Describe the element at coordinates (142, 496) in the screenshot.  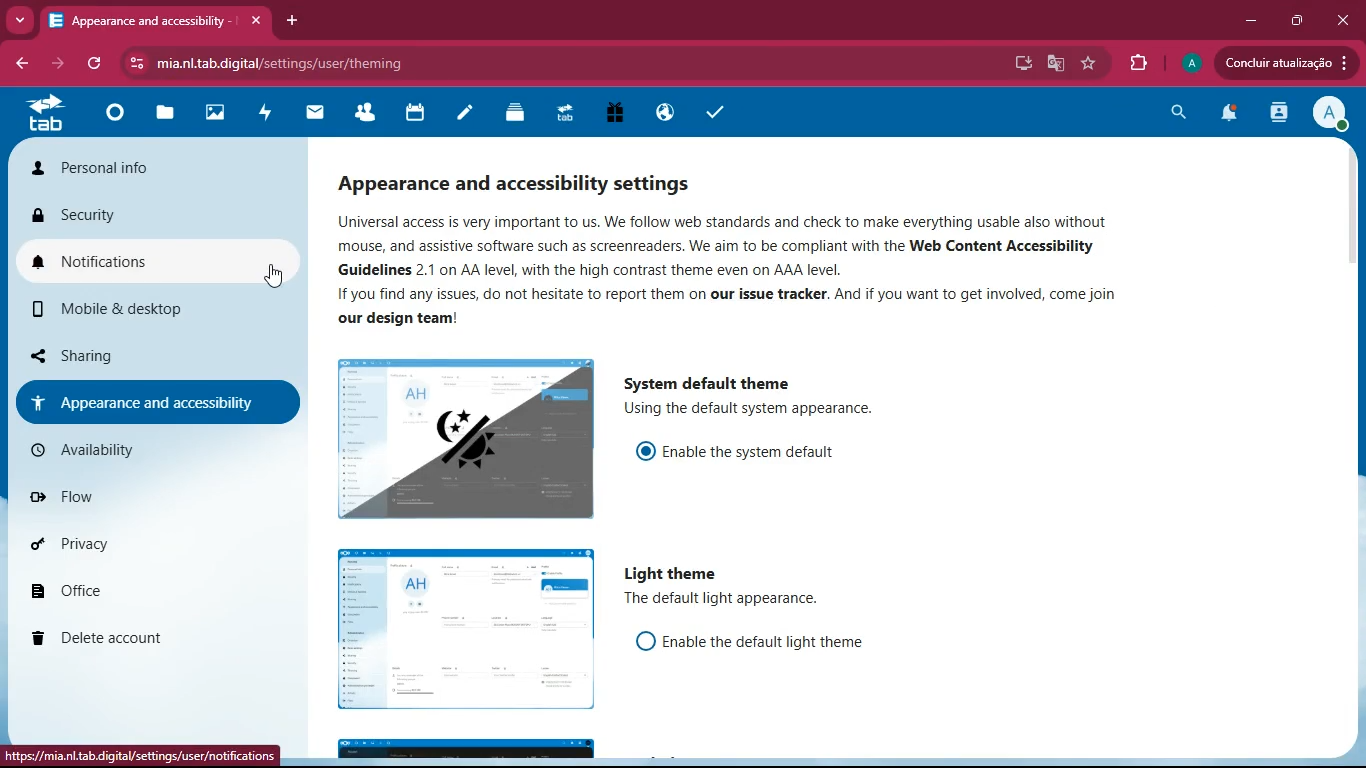
I see `flow` at that location.